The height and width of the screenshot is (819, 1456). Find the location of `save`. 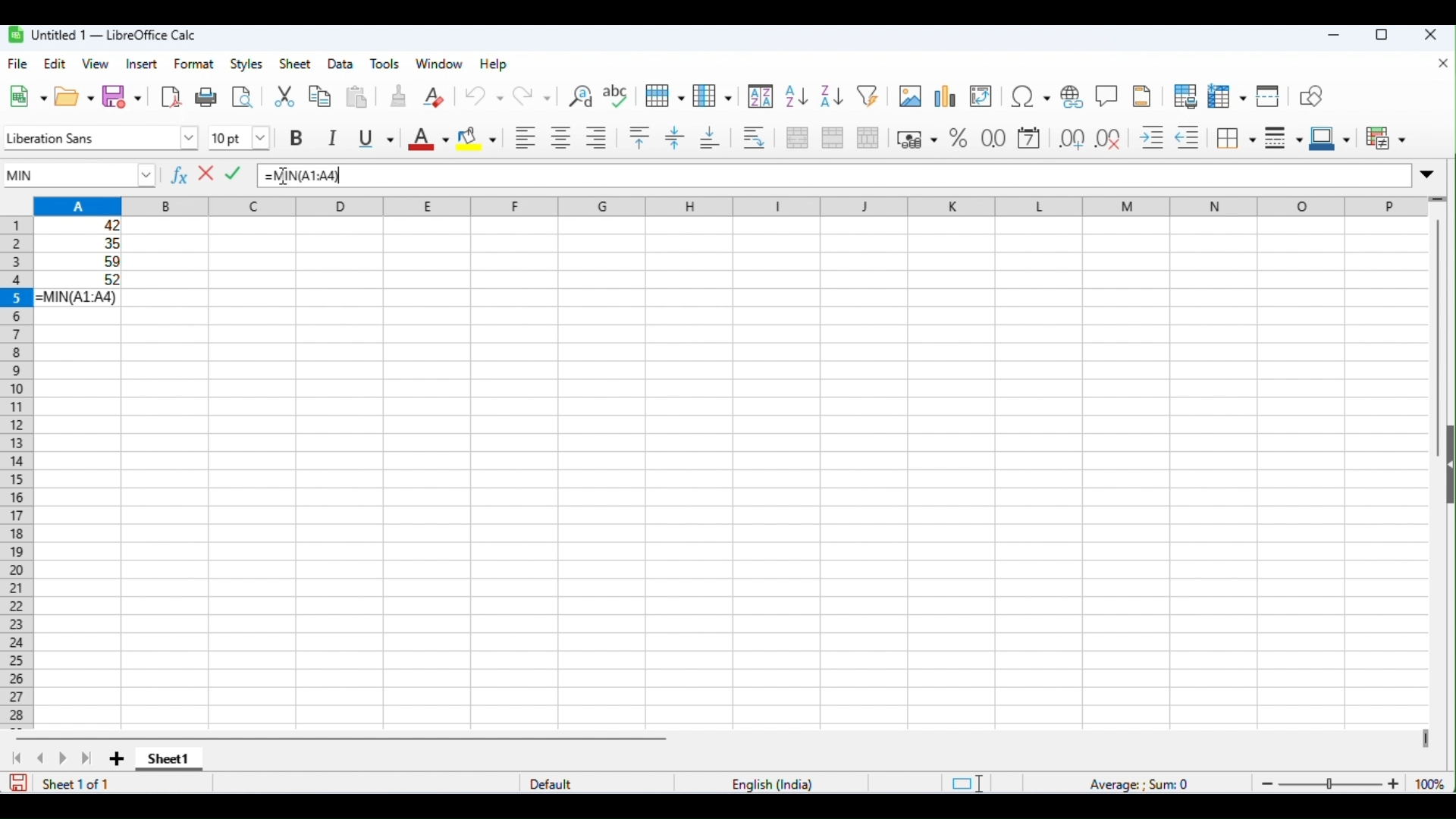

save is located at coordinates (17, 783).